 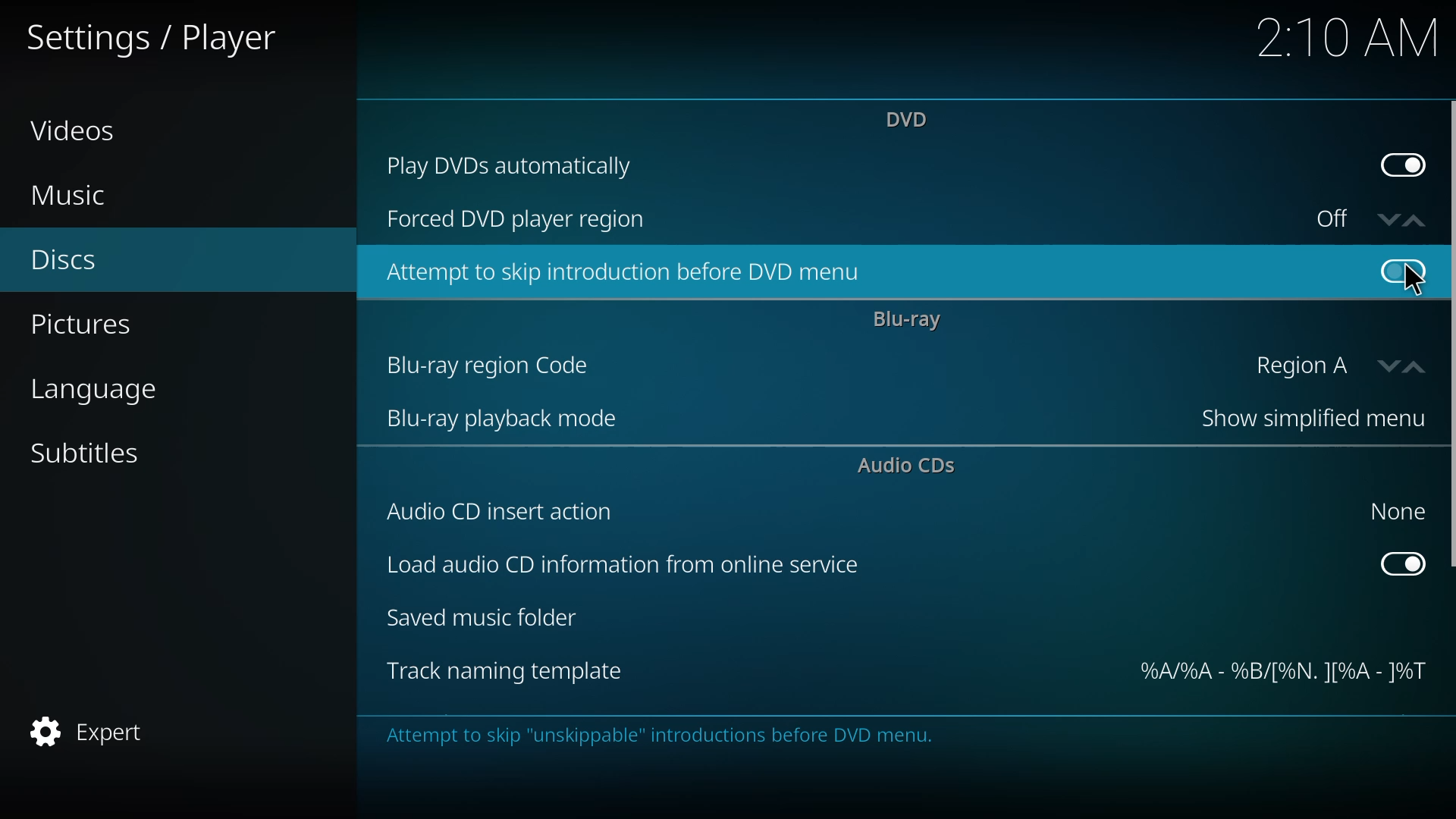 What do you see at coordinates (517, 163) in the screenshot?
I see `play dvds automatically` at bounding box center [517, 163].